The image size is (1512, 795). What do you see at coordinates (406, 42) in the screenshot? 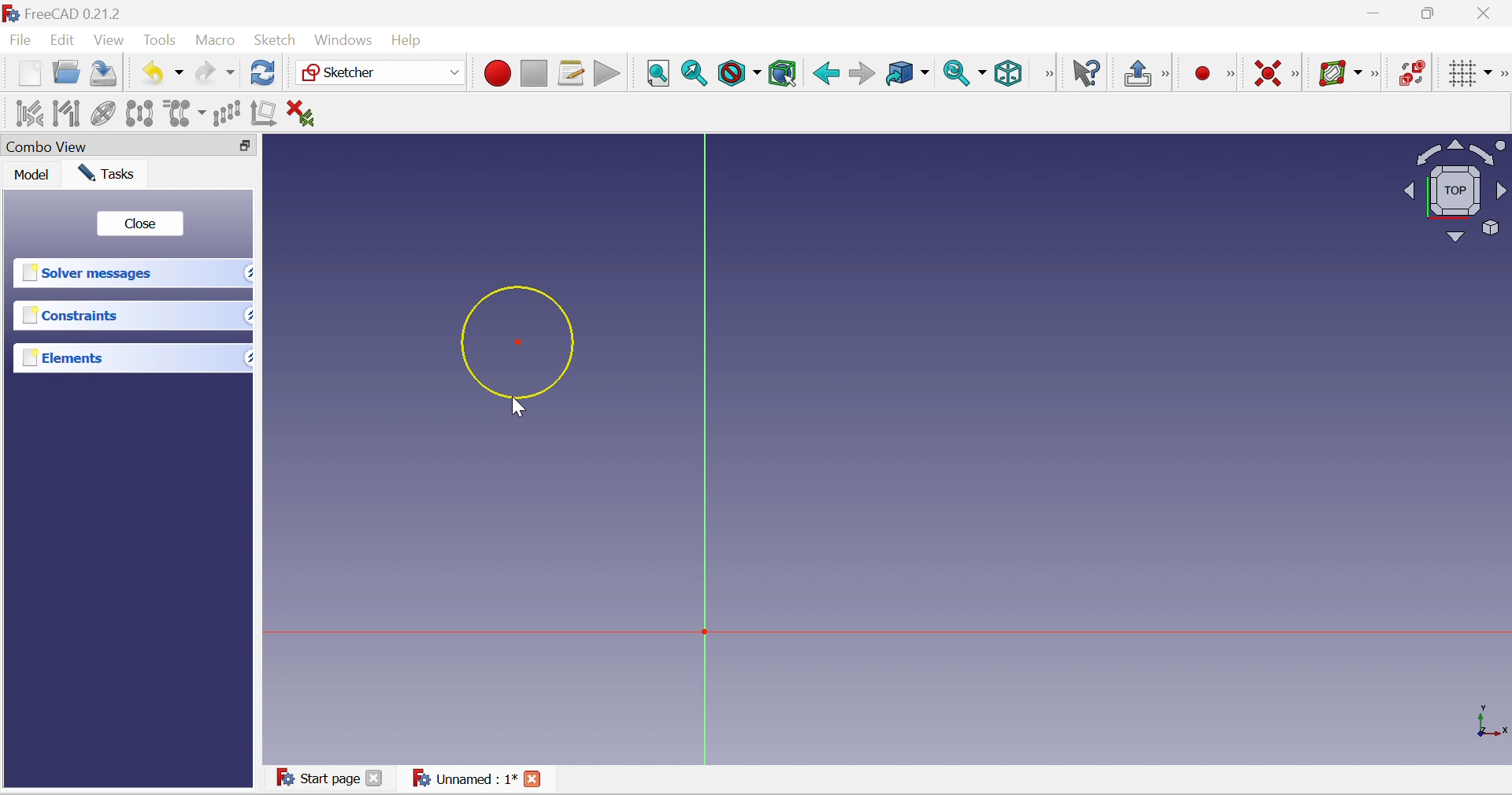
I see `Help` at bounding box center [406, 42].